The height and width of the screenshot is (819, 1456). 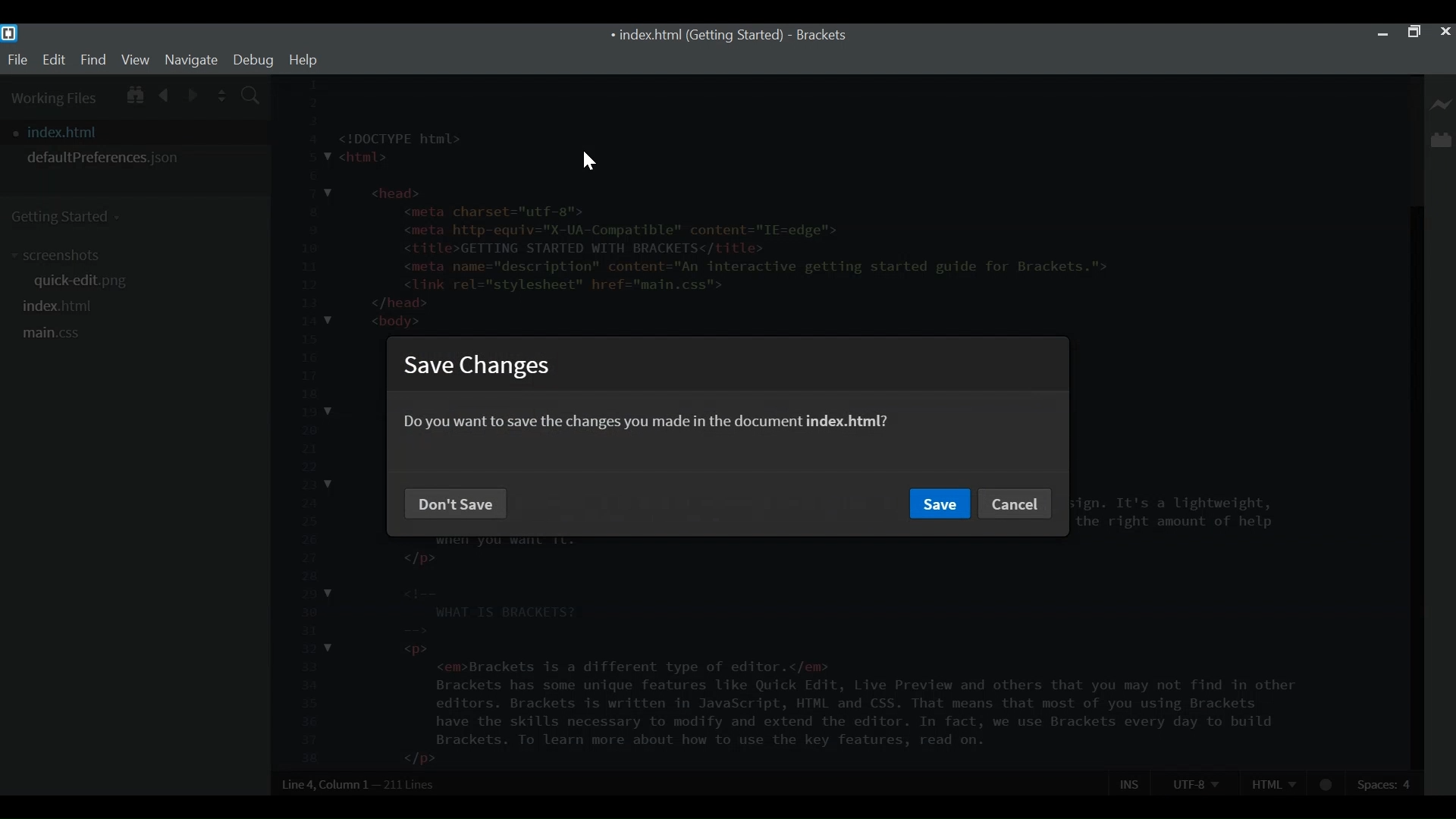 What do you see at coordinates (190, 59) in the screenshot?
I see `Navigate` at bounding box center [190, 59].